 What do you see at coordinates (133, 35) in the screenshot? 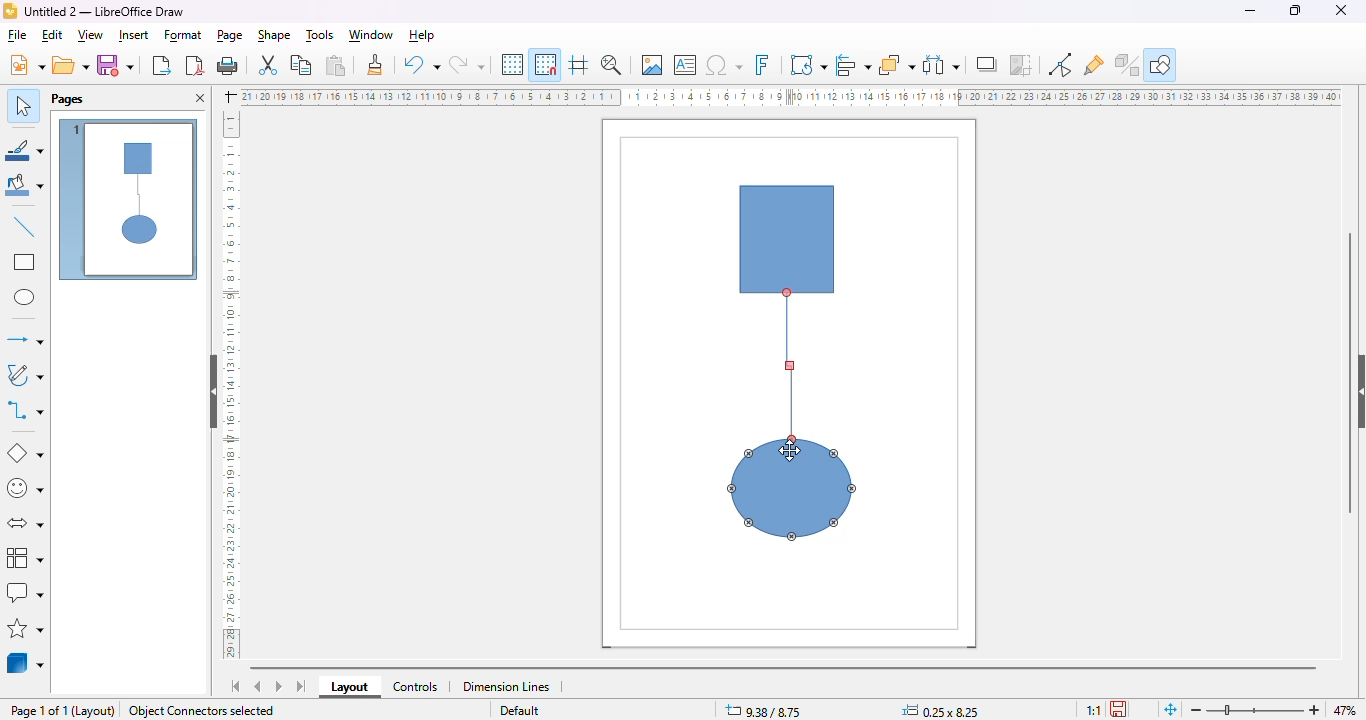
I see `insert` at bounding box center [133, 35].